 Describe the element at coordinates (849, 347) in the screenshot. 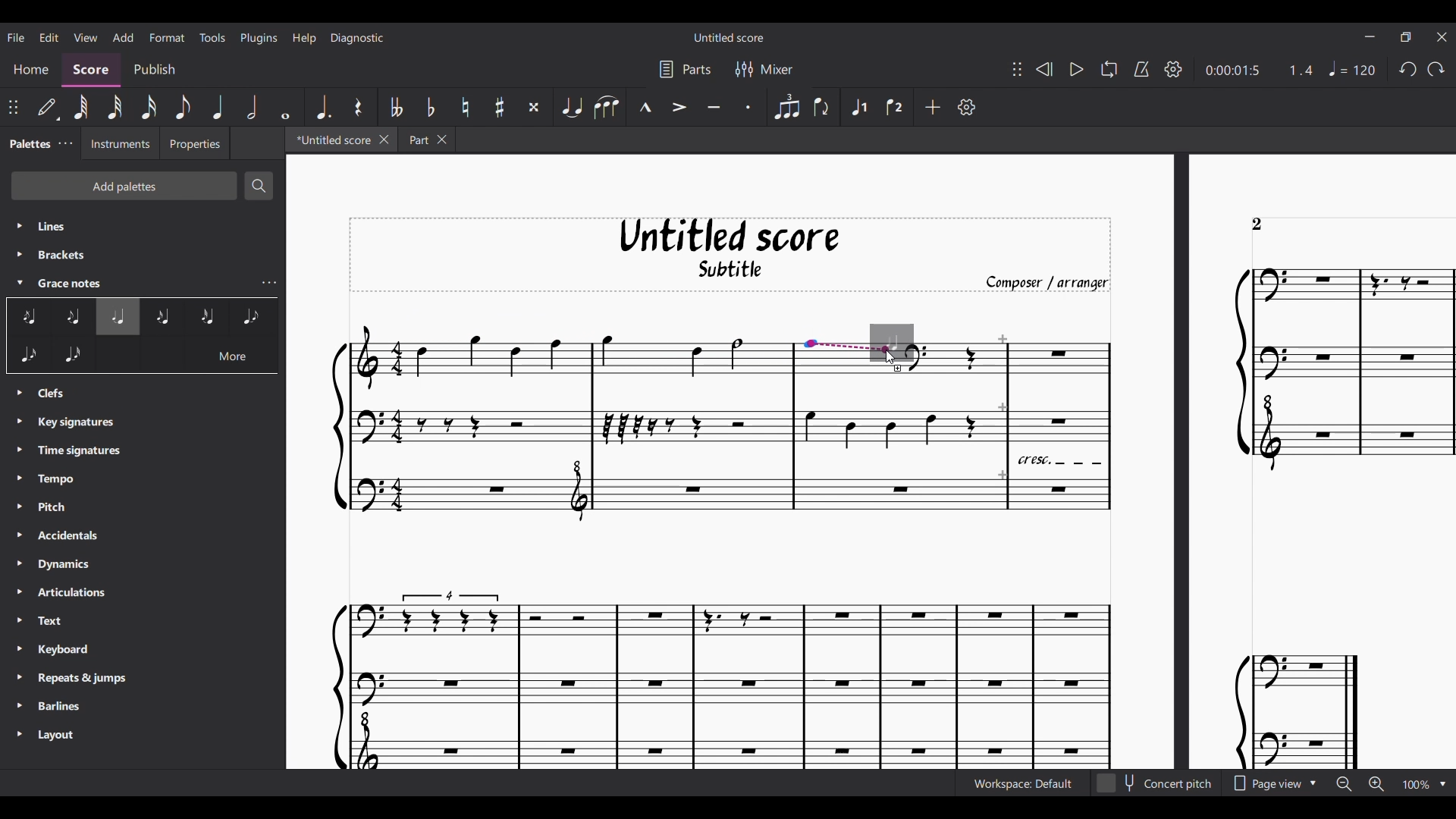

I see `Indicates note the grace note is going to get attached to` at that location.